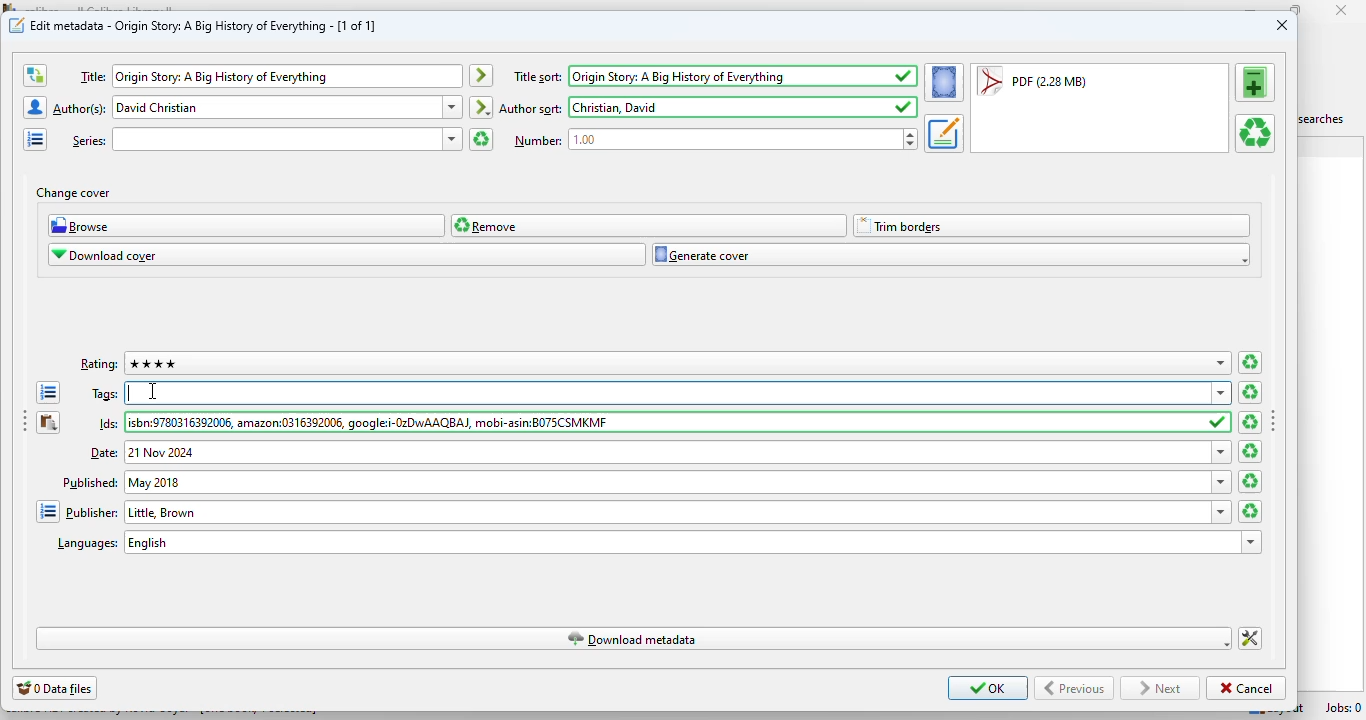 The width and height of the screenshot is (1366, 720). I want to click on text, so click(92, 511).